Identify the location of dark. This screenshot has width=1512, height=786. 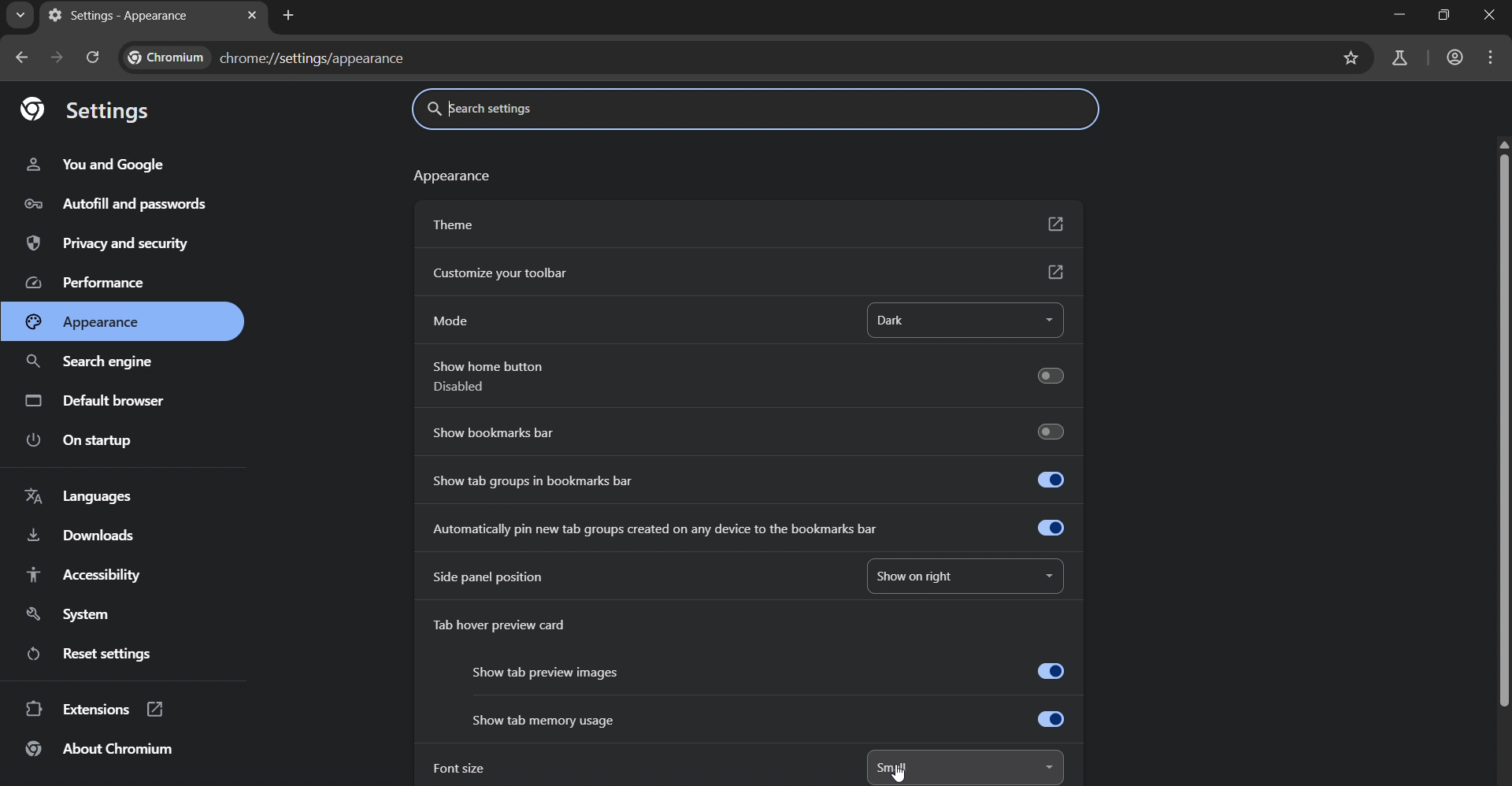
(923, 321).